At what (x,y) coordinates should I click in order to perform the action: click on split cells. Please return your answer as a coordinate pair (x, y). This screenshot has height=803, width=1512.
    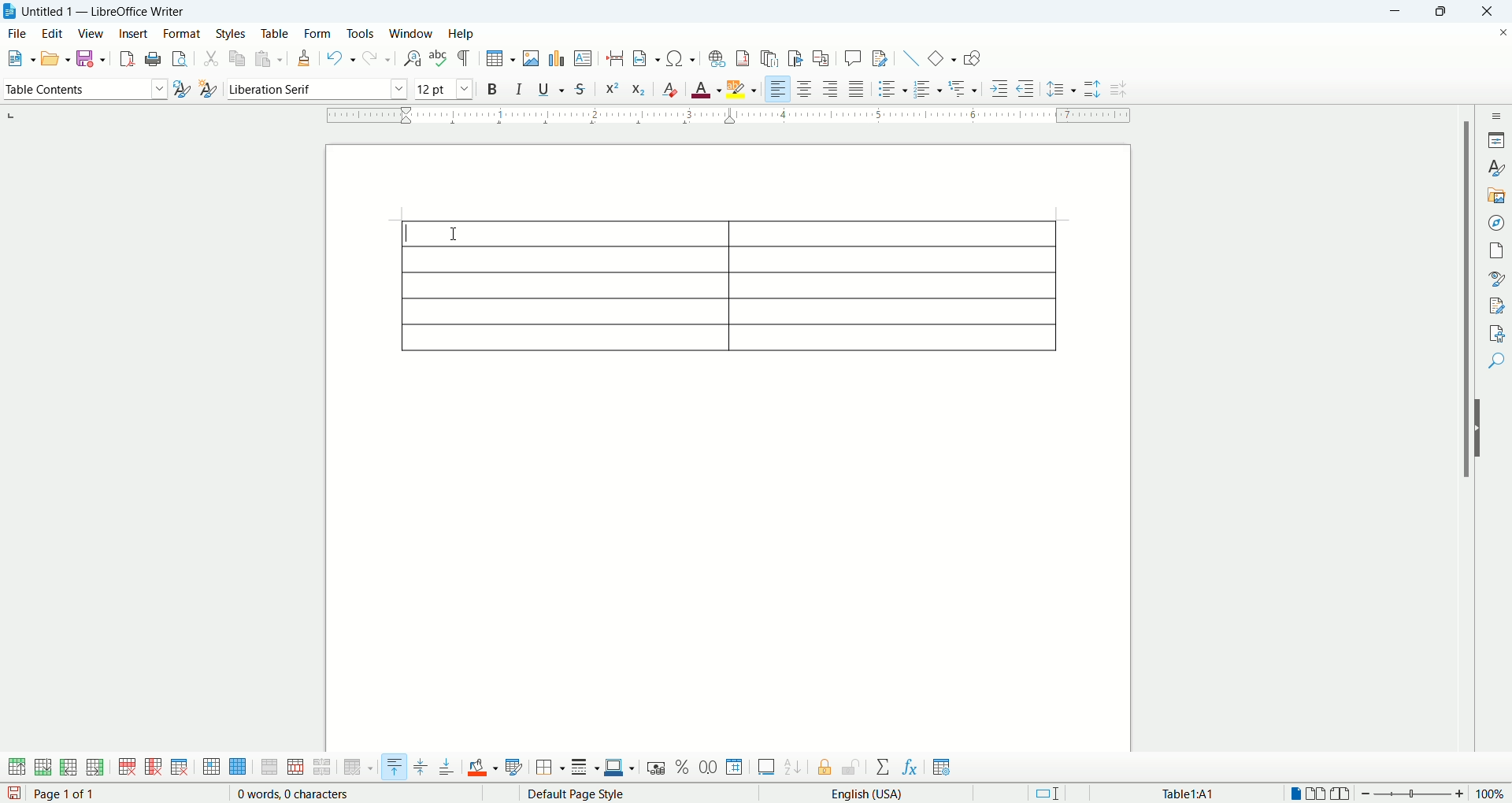
    Looking at the image, I should click on (293, 768).